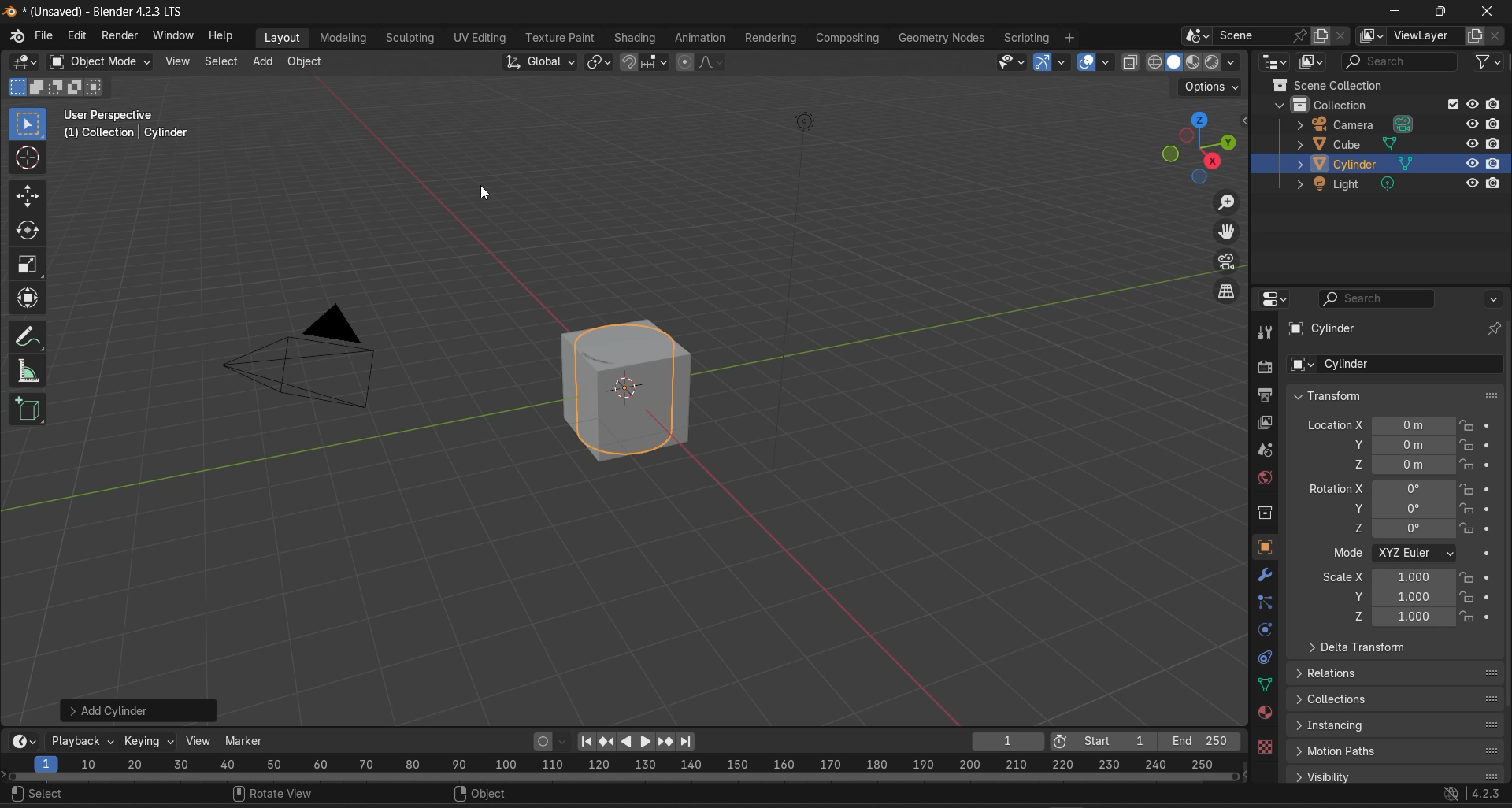  What do you see at coordinates (1496, 183) in the screenshot?
I see `disable in renders` at bounding box center [1496, 183].